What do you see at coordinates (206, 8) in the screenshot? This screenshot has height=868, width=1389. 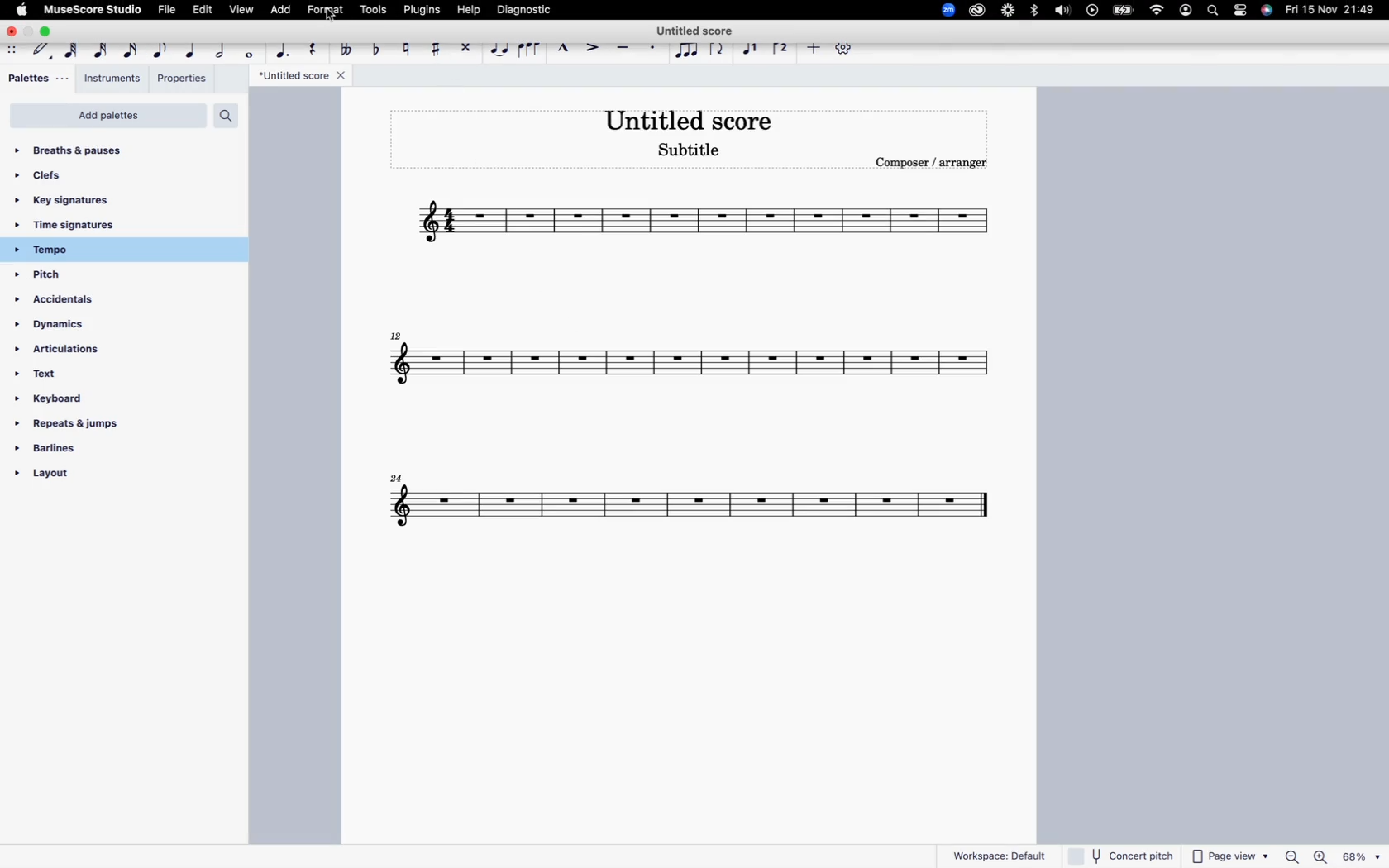 I see `edit` at bounding box center [206, 8].